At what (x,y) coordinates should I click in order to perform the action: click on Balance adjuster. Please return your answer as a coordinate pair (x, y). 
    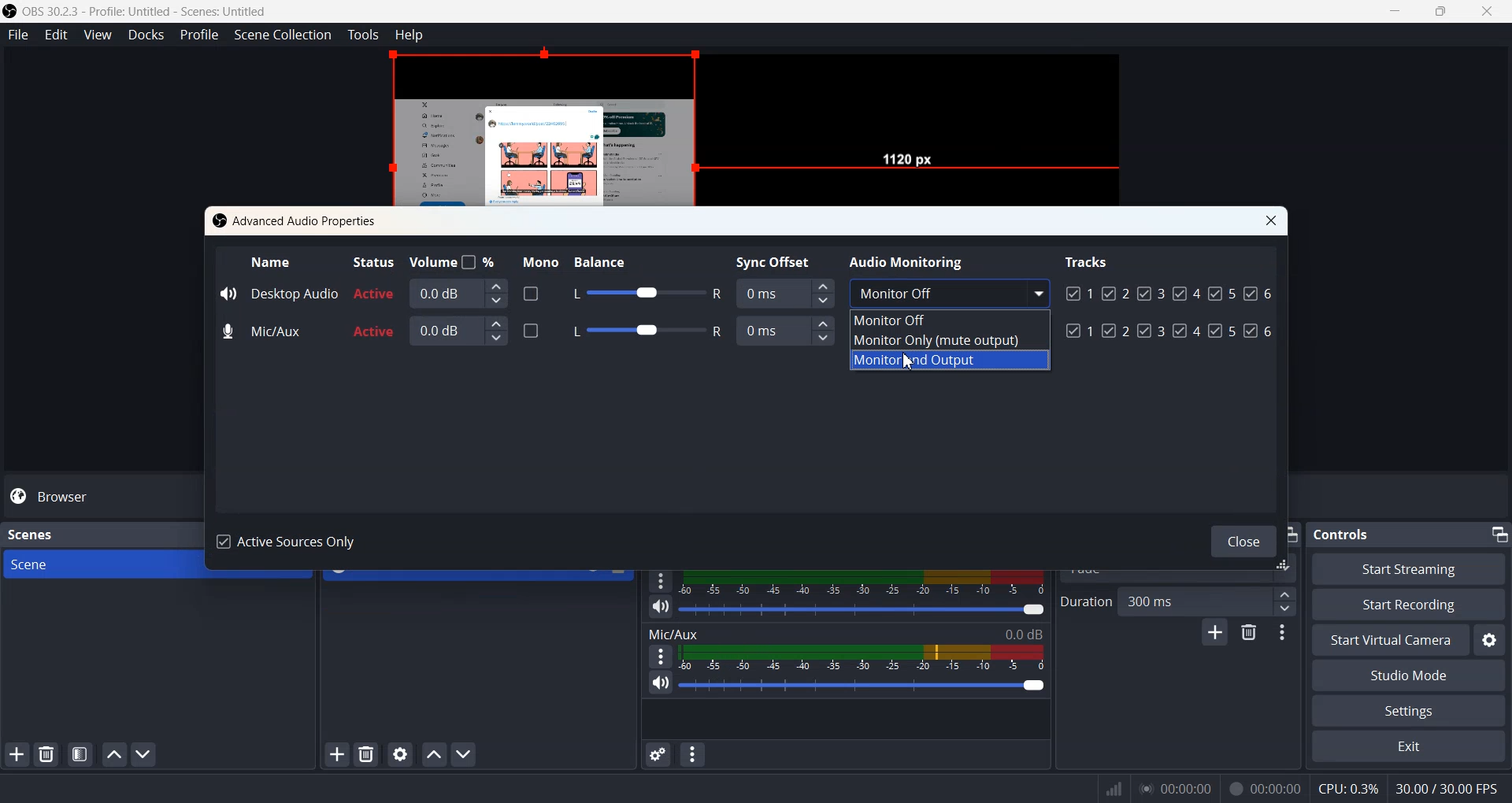
    Looking at the image, I should click on (644, 294).